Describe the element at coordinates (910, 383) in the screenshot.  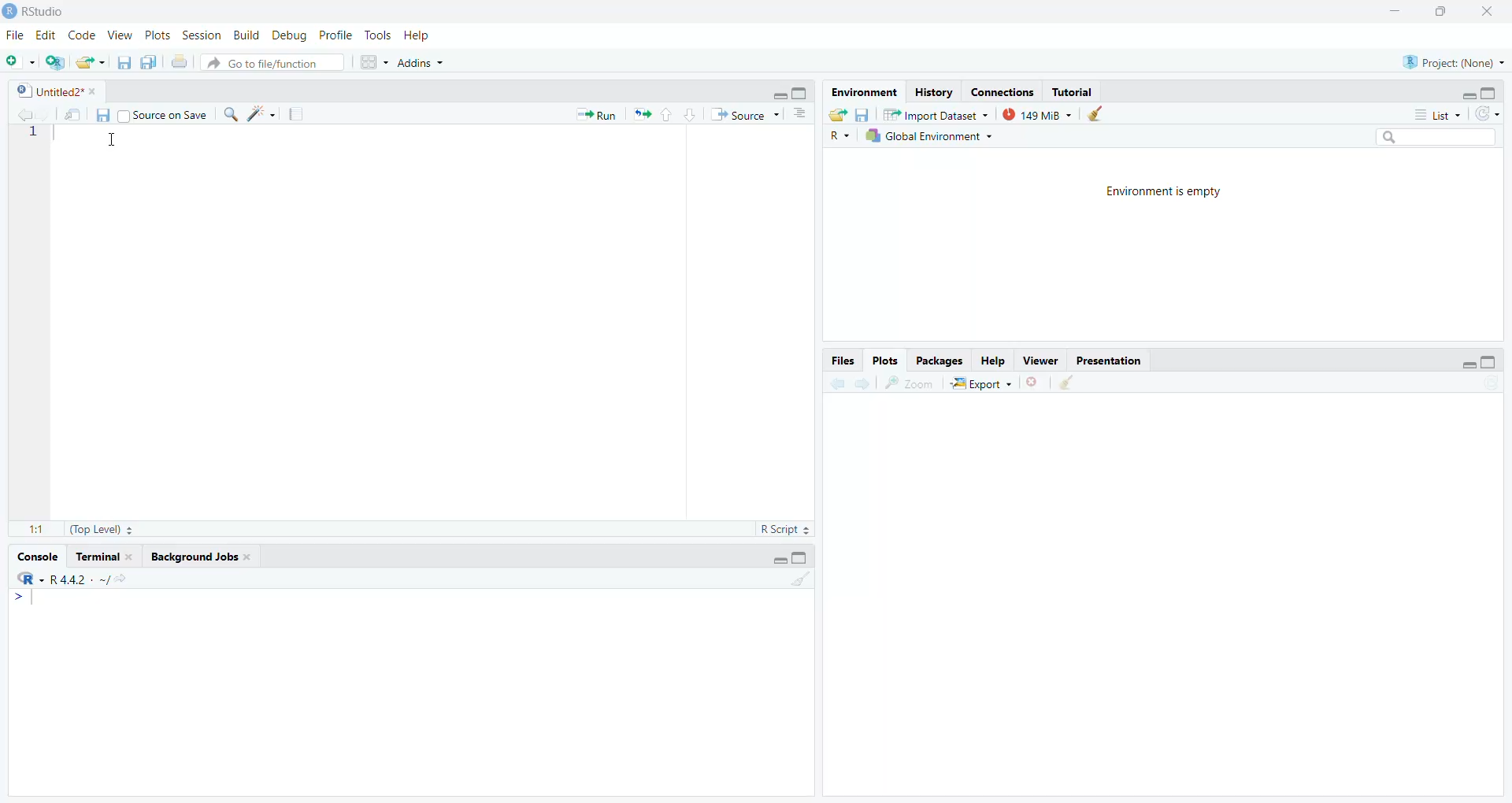
I see `Zoom` at that location.